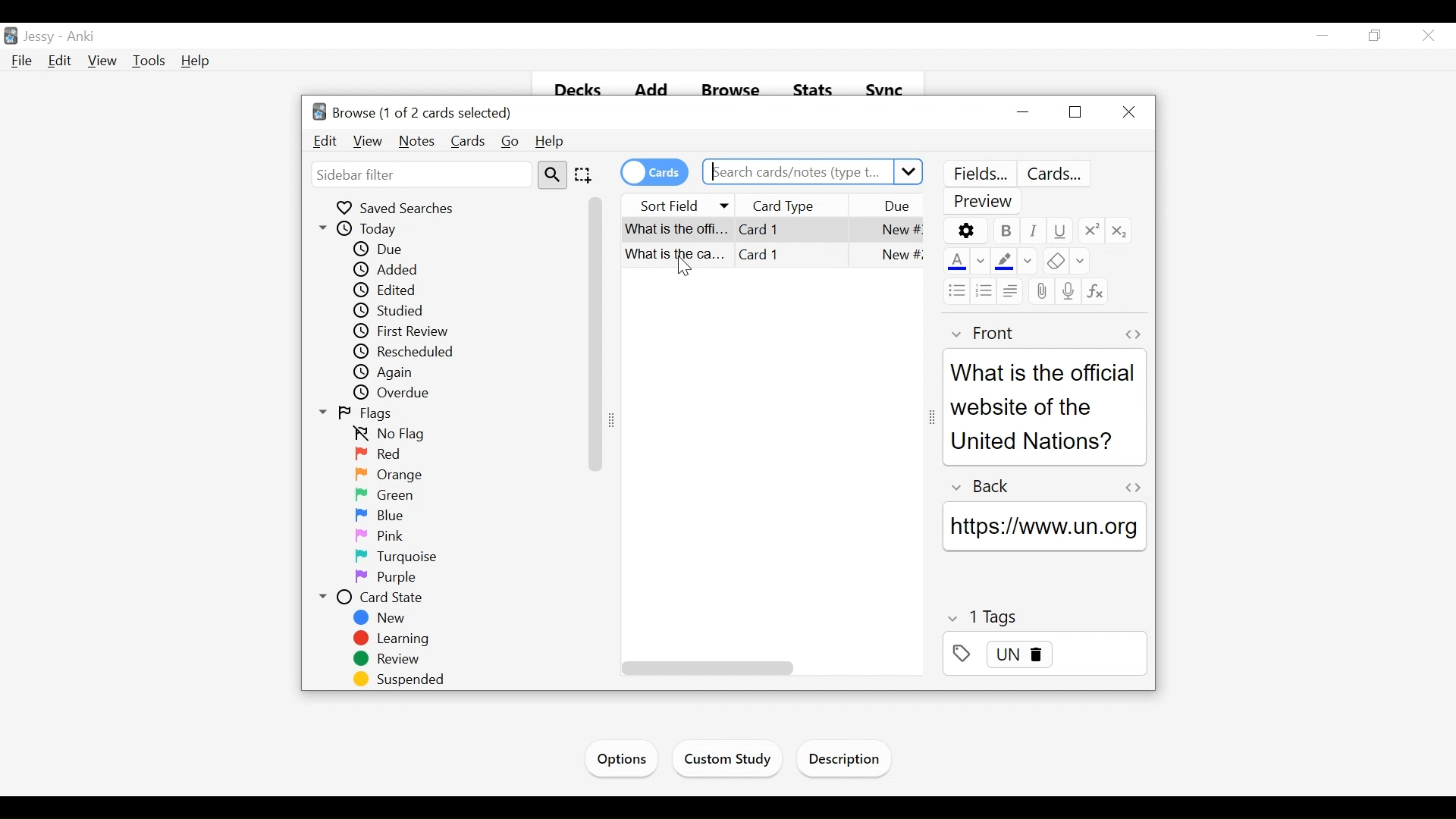 This screenshot has width=1456, height=819. Describe the element at coordinates (403, 680) in the screenshot. I see `Suspended` at that location.